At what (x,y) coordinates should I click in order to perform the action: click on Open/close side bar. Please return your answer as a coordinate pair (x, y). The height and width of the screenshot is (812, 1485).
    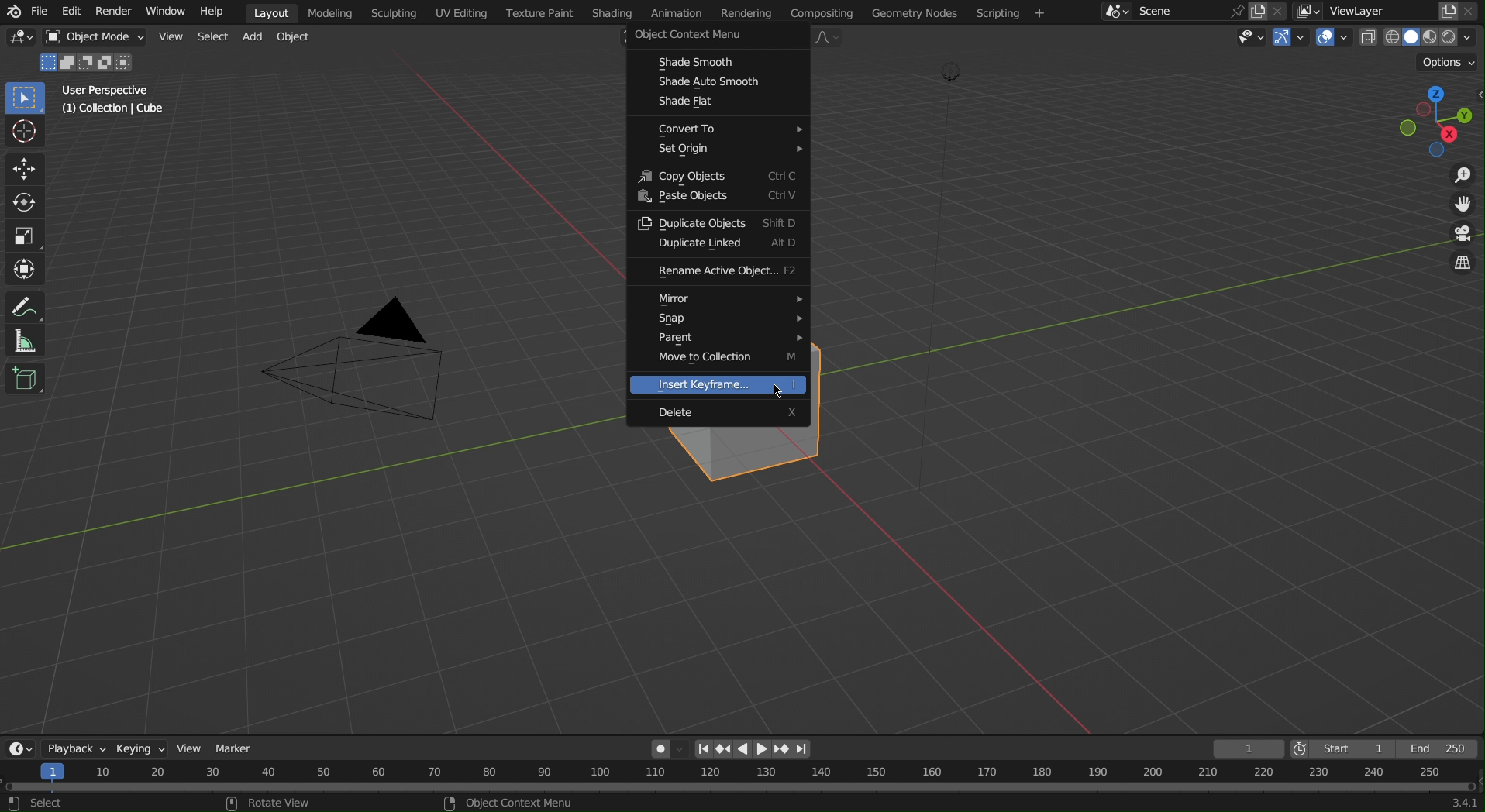
    Looking at the image, I should click on (1476, 108).